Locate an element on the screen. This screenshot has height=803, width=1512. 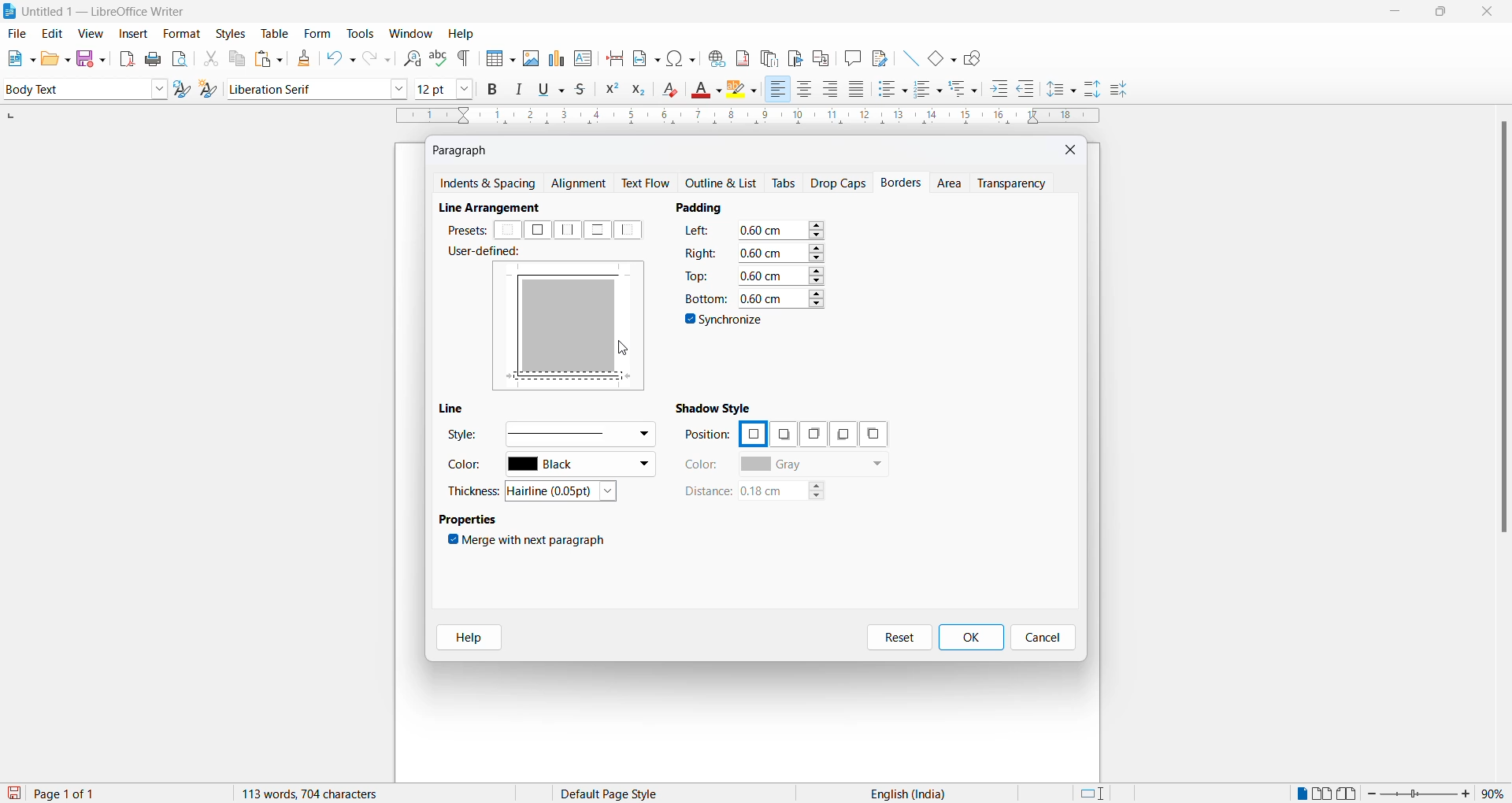
text flow is located at coordinates (650, 183).